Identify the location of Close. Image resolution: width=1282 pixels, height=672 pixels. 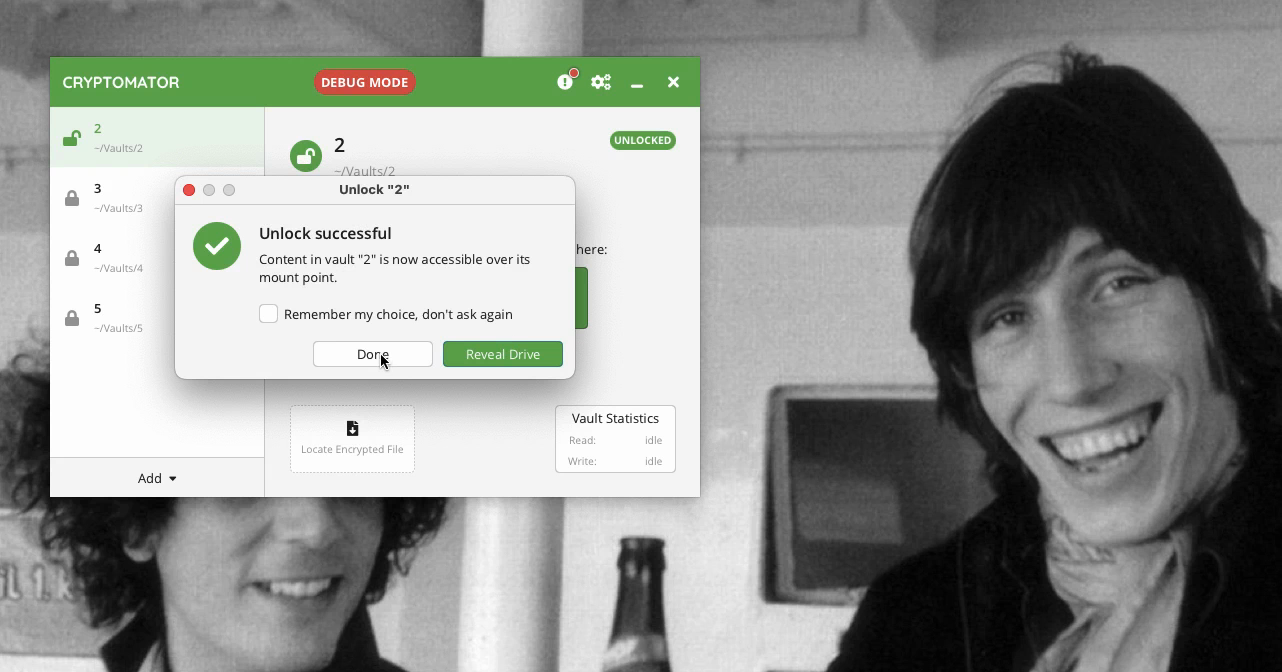
(671, 80).